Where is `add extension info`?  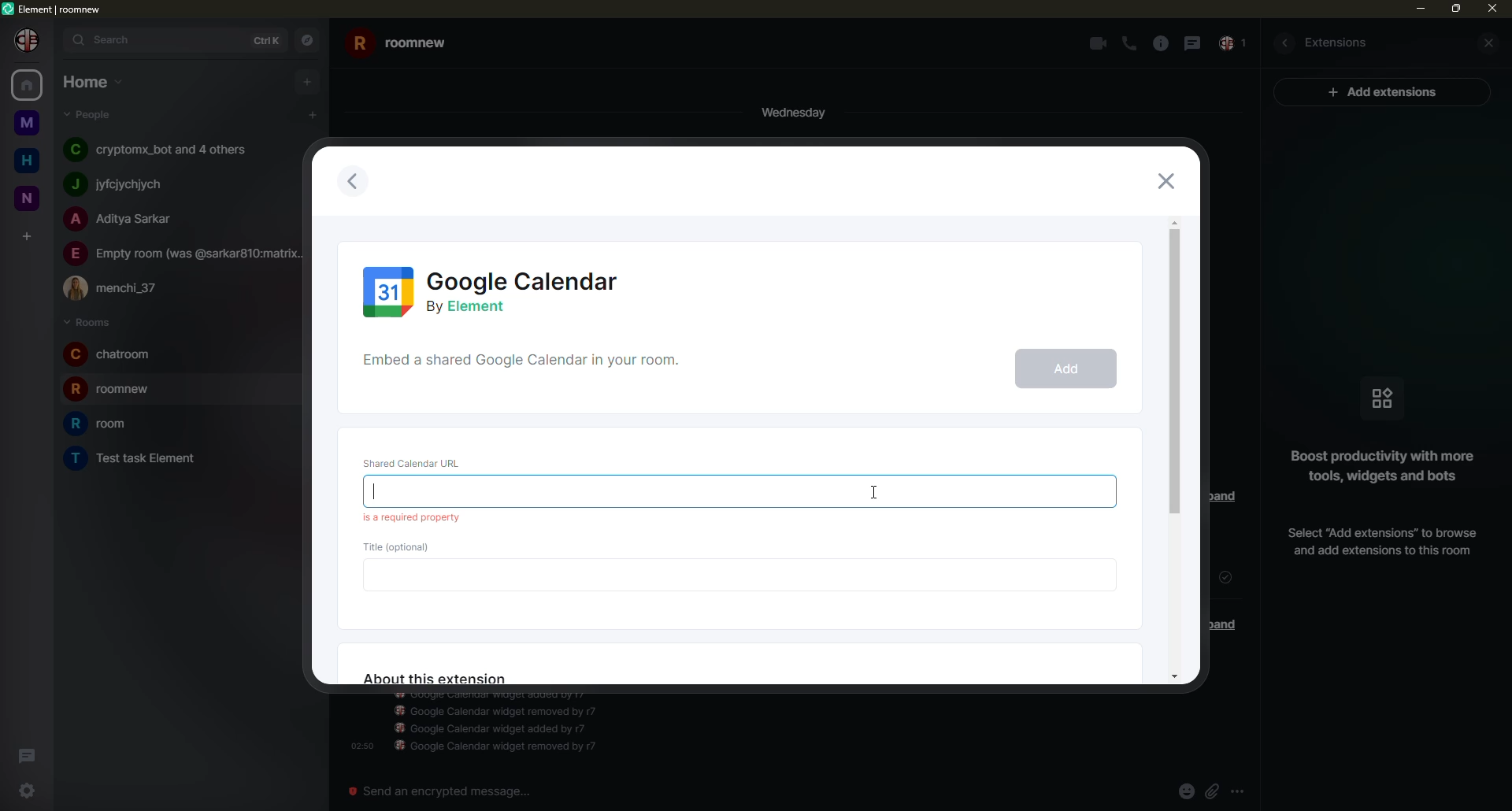
add extension info is located at coordinates (1379, 542).